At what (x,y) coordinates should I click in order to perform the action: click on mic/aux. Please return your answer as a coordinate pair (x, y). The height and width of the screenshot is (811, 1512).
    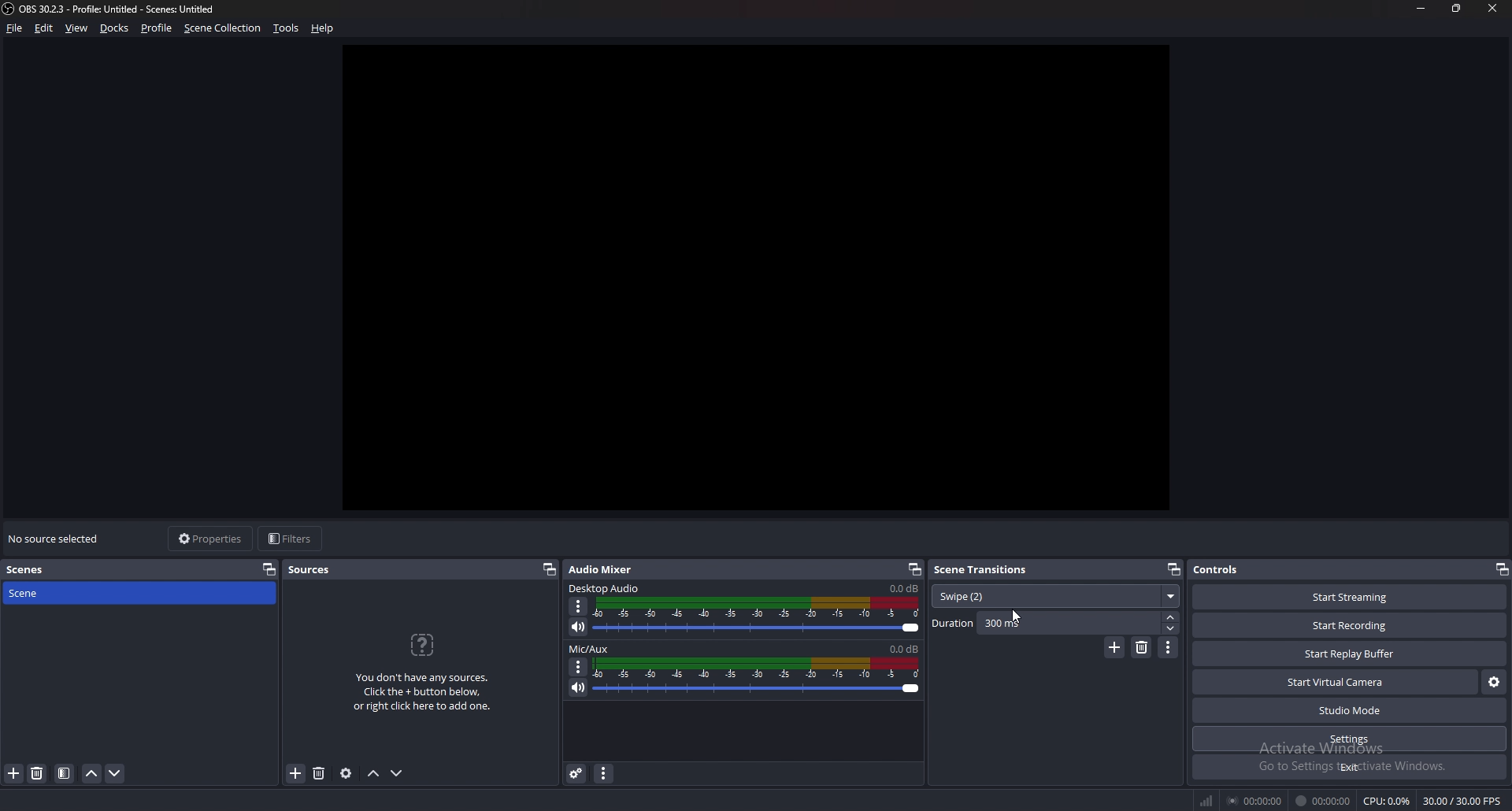
    Looking at the image, I should click on (589, 649).